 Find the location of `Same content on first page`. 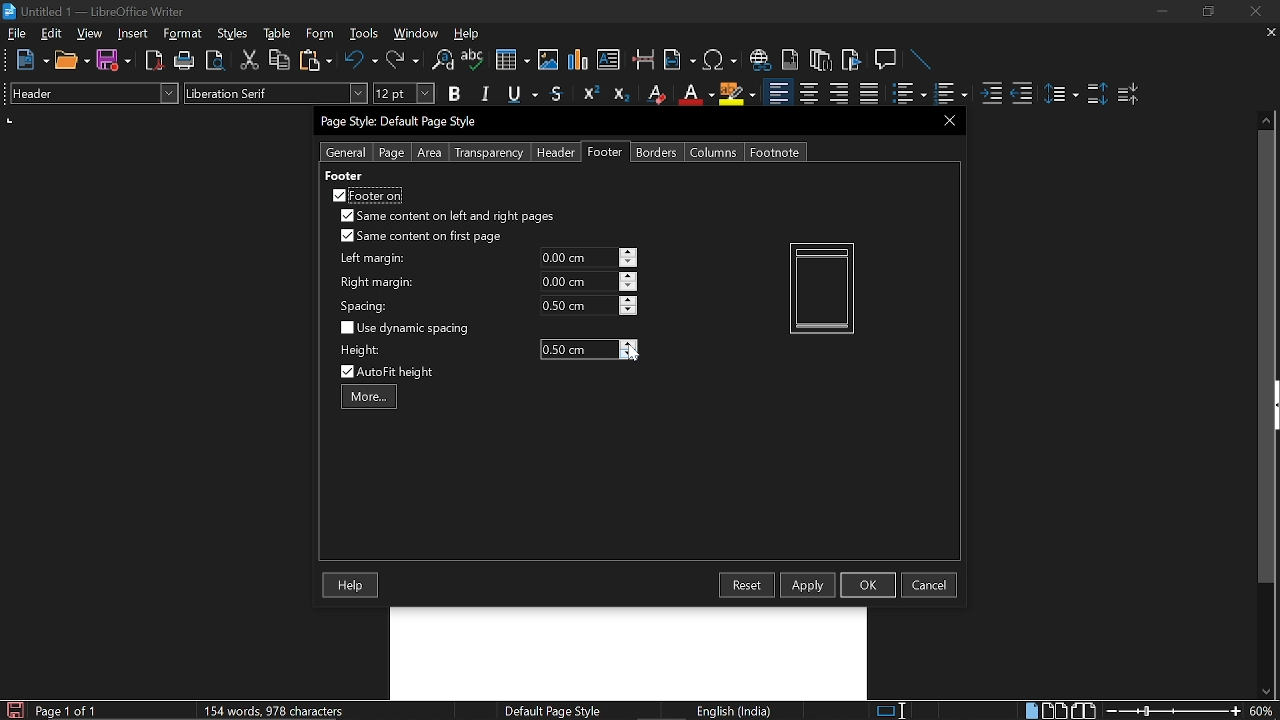

Same content on first page is located at coordinates (422, 237).